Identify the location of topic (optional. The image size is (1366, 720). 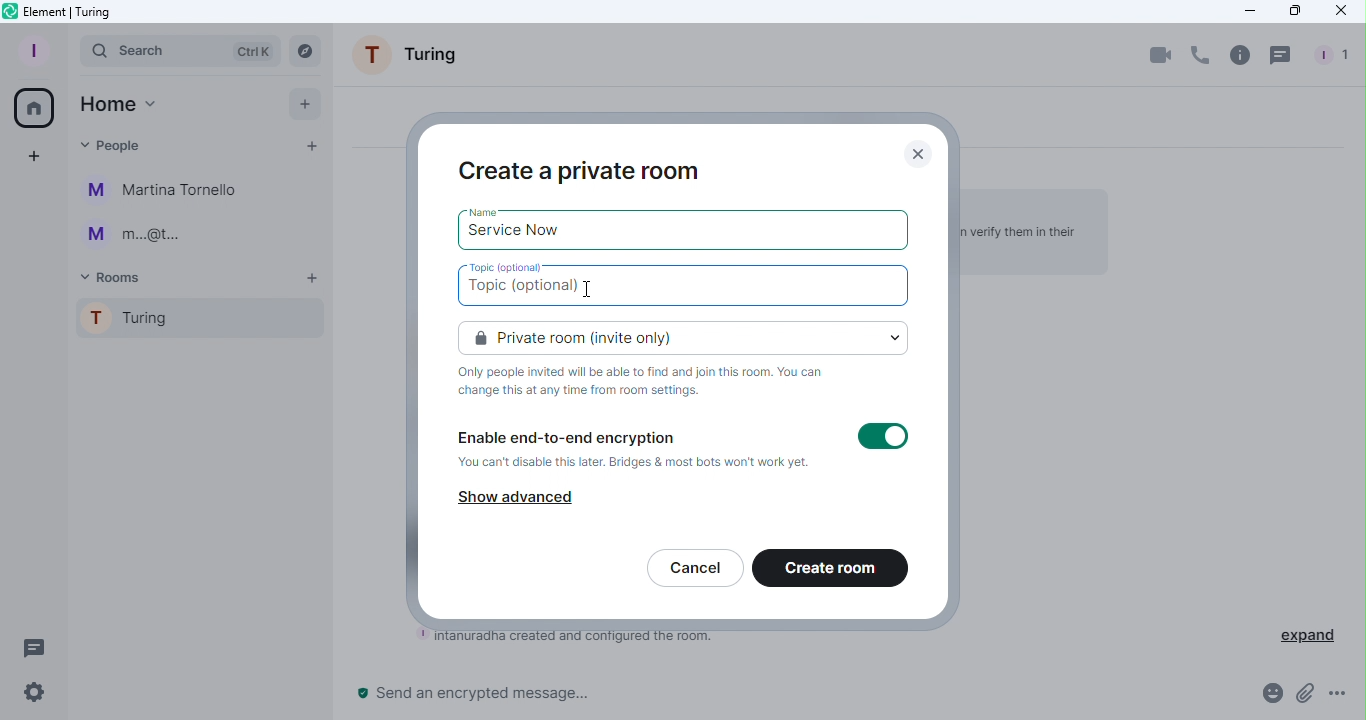
(539, 291).